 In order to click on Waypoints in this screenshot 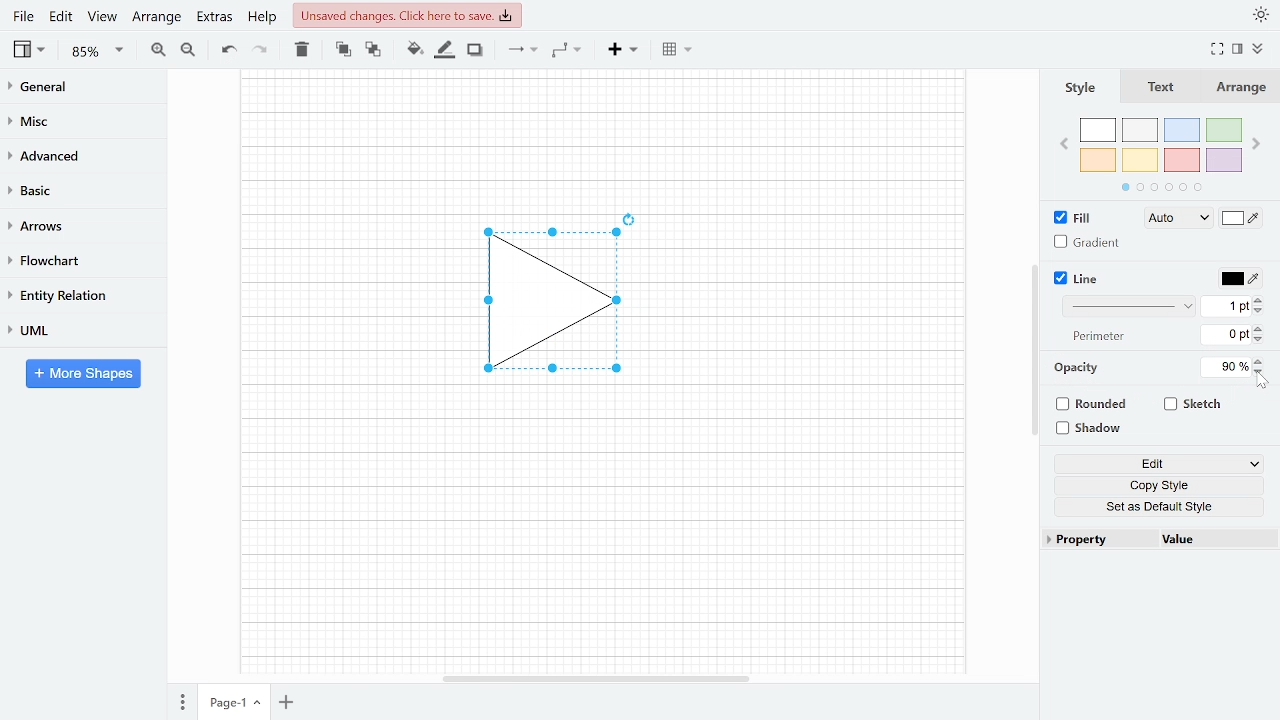, I will do `click(568, 49)`.